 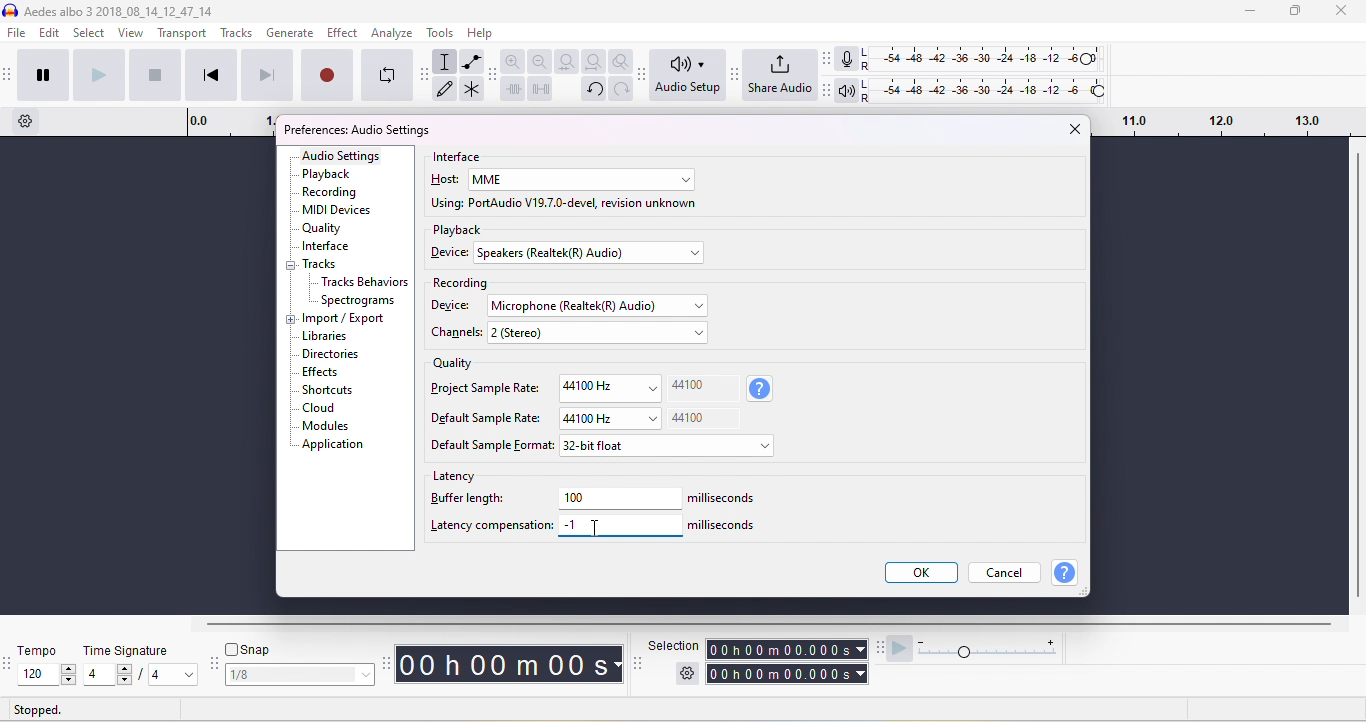 What do you see at coordinates (516, 92) in the screenshot?
I see `trim outside slection` at bounding box center [516, 92].